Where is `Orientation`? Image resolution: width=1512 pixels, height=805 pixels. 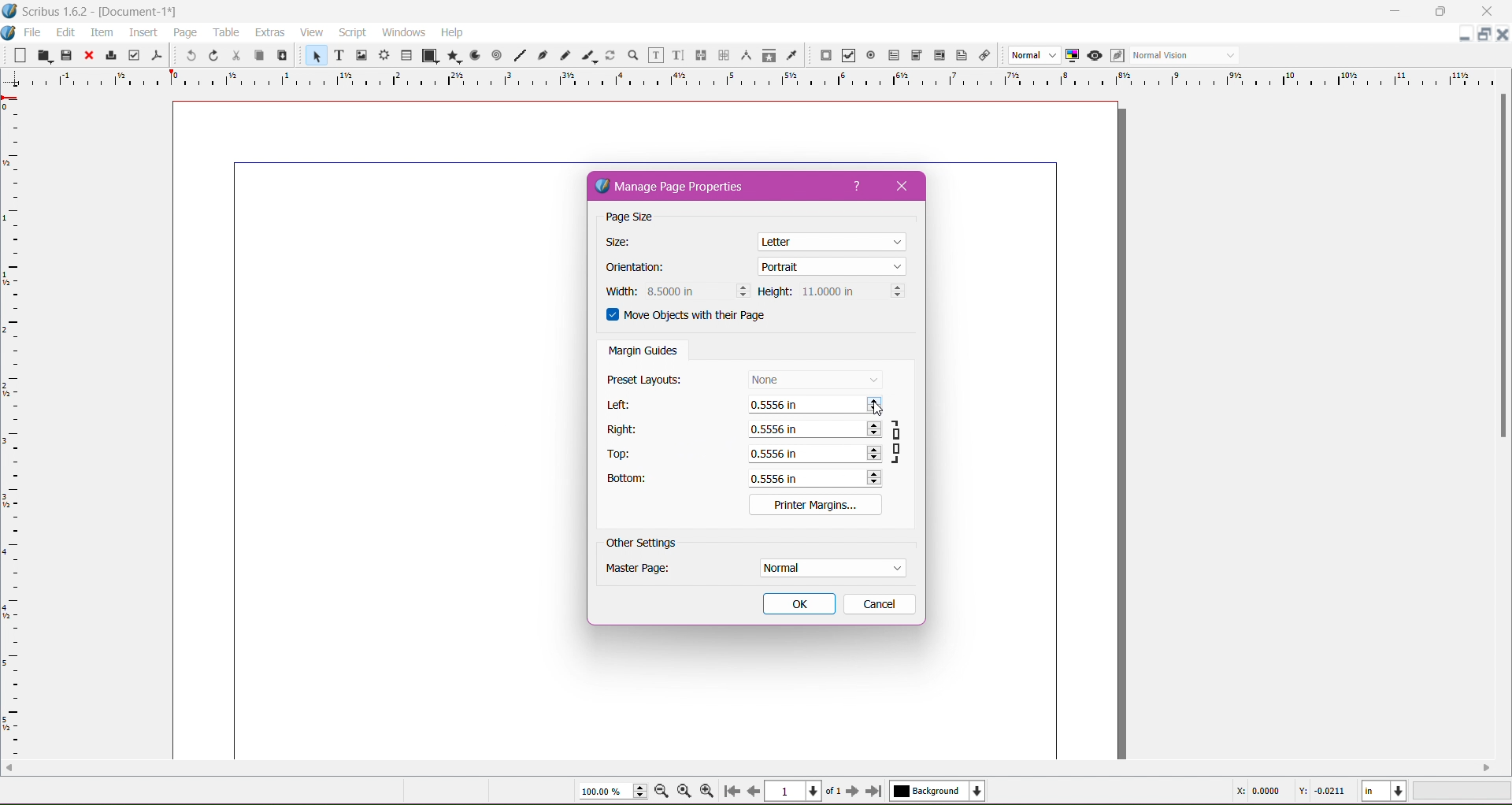
Orientation is located at coordinates (643, 269).